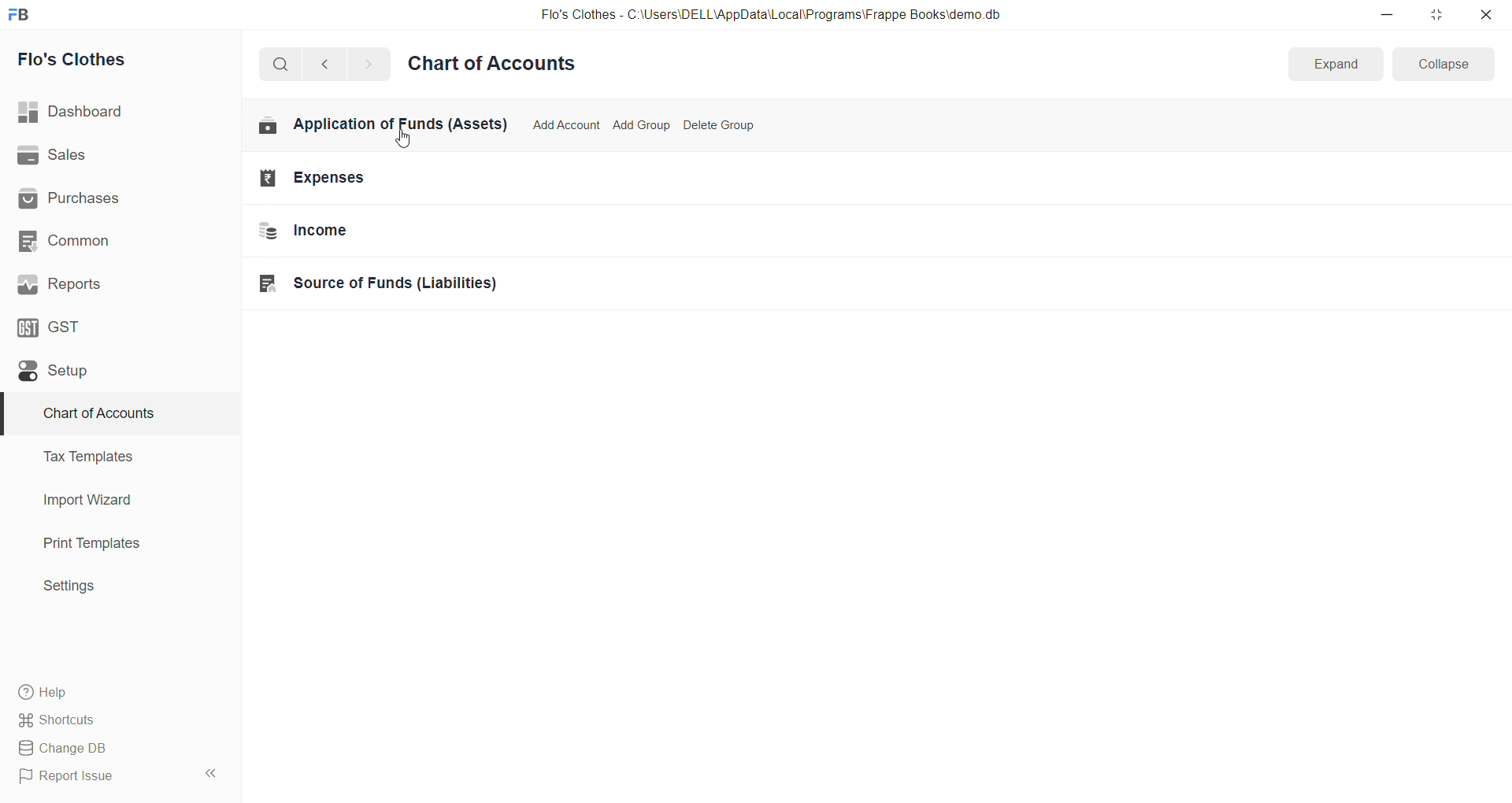 This screenshot has height=803, width=1512. I want to click on Shortcuts, so click(115, 719).